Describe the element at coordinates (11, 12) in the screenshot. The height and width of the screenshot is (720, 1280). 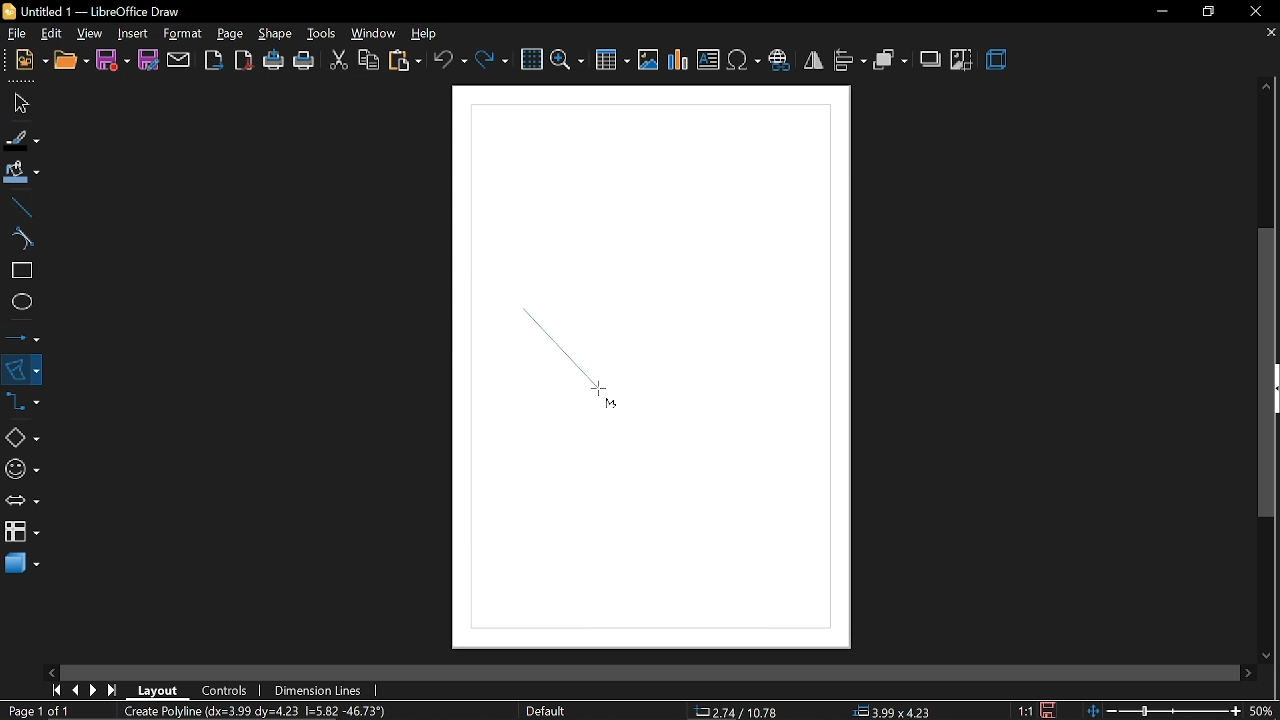
I see `logo Libre` at that location.